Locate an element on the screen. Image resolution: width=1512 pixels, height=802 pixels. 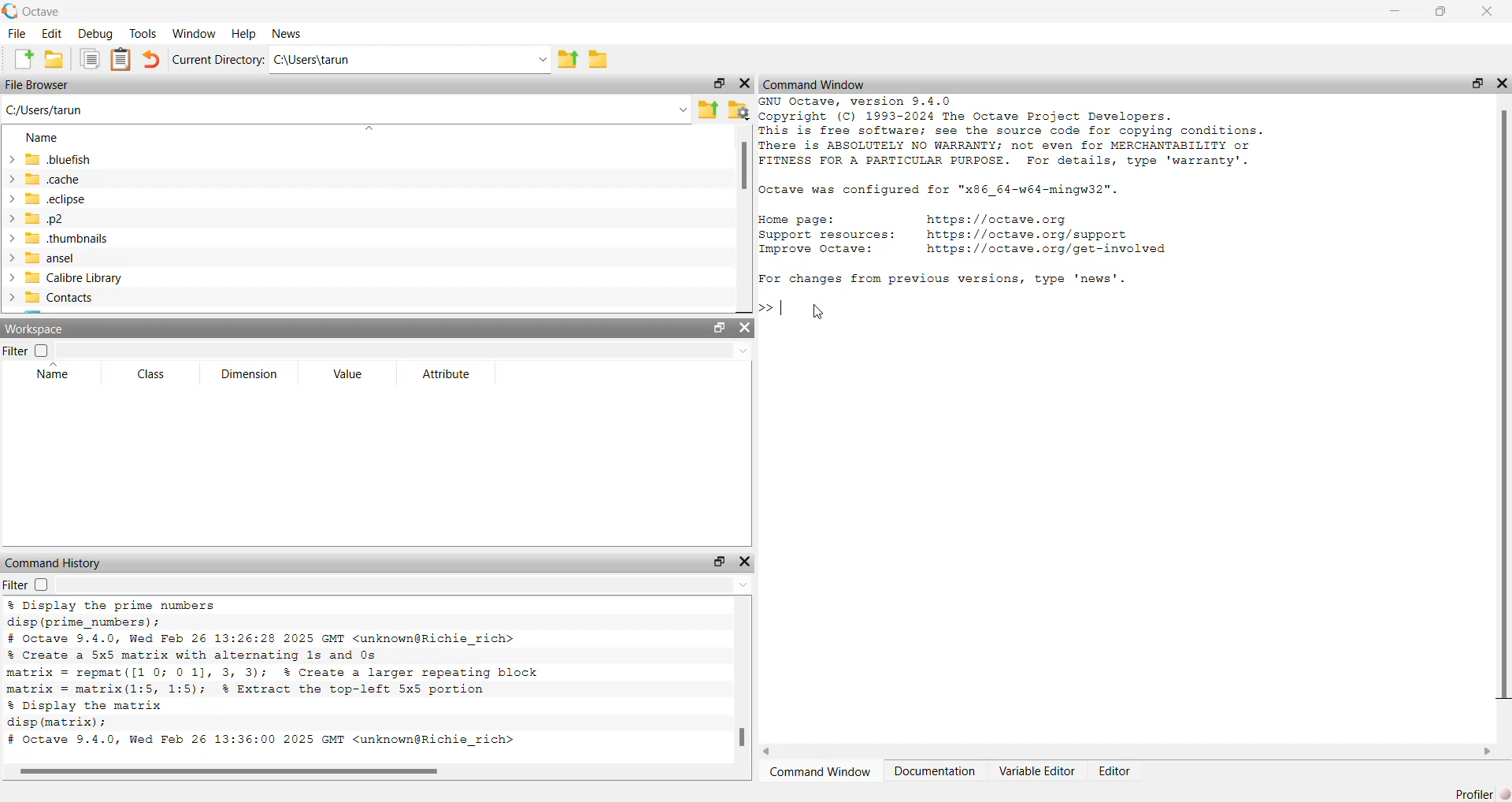
paste is located at coordinates (122, 60).